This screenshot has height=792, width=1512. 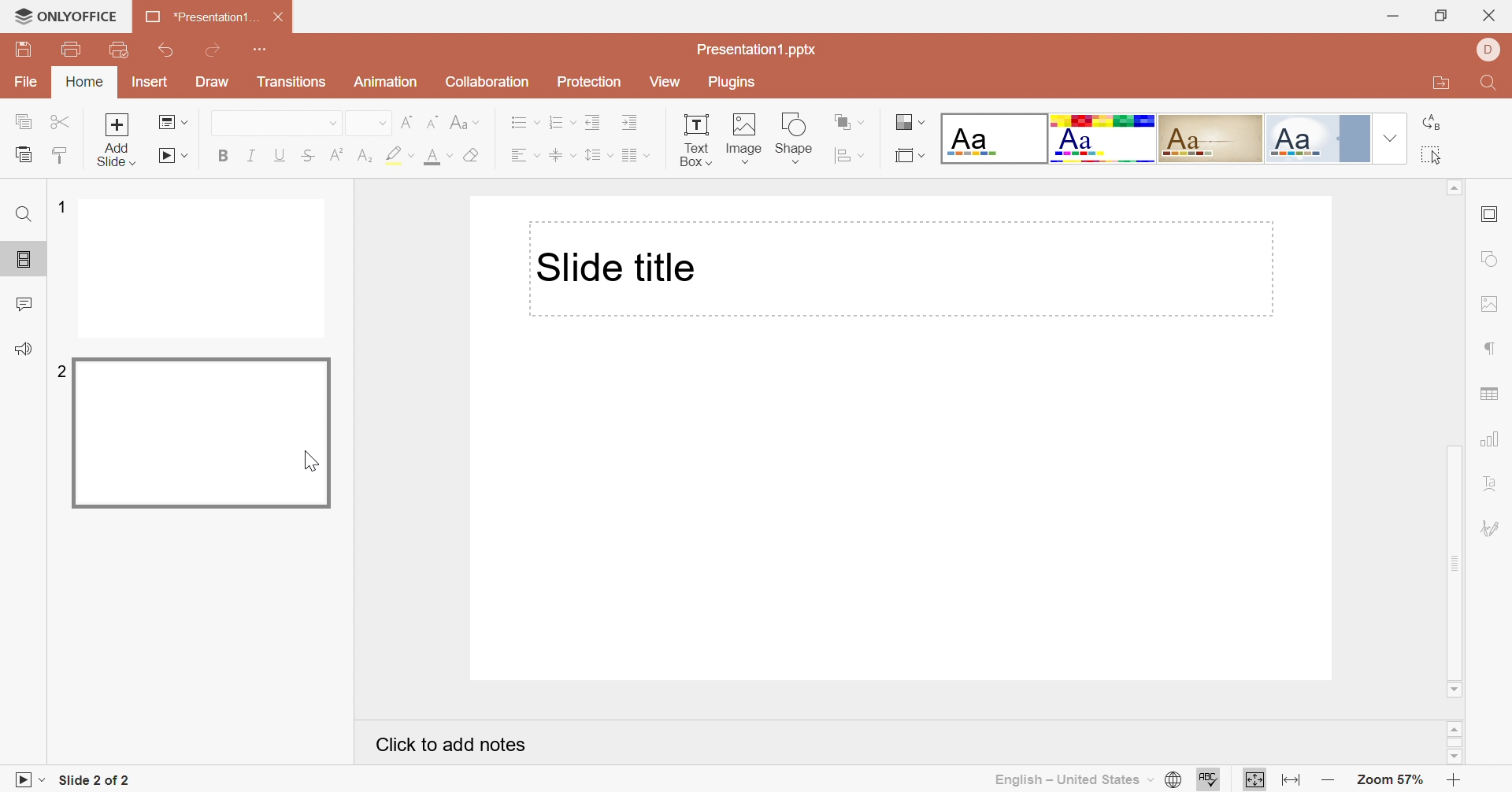 I want to click on Protection, so click(x=589, y=82).